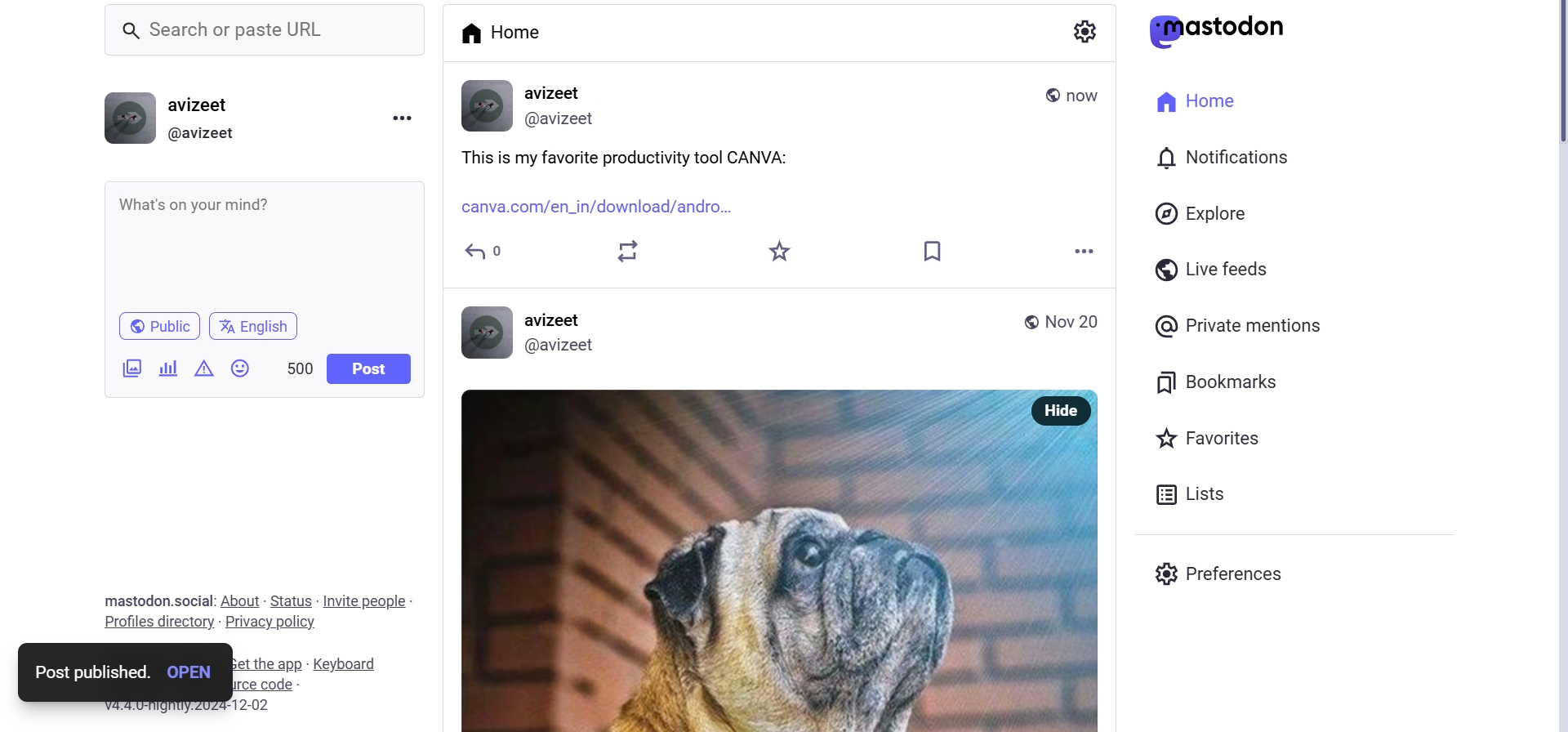  Describe the element at coordinates (345, 664) in the screenshot. I see `Keyboard` at that location.